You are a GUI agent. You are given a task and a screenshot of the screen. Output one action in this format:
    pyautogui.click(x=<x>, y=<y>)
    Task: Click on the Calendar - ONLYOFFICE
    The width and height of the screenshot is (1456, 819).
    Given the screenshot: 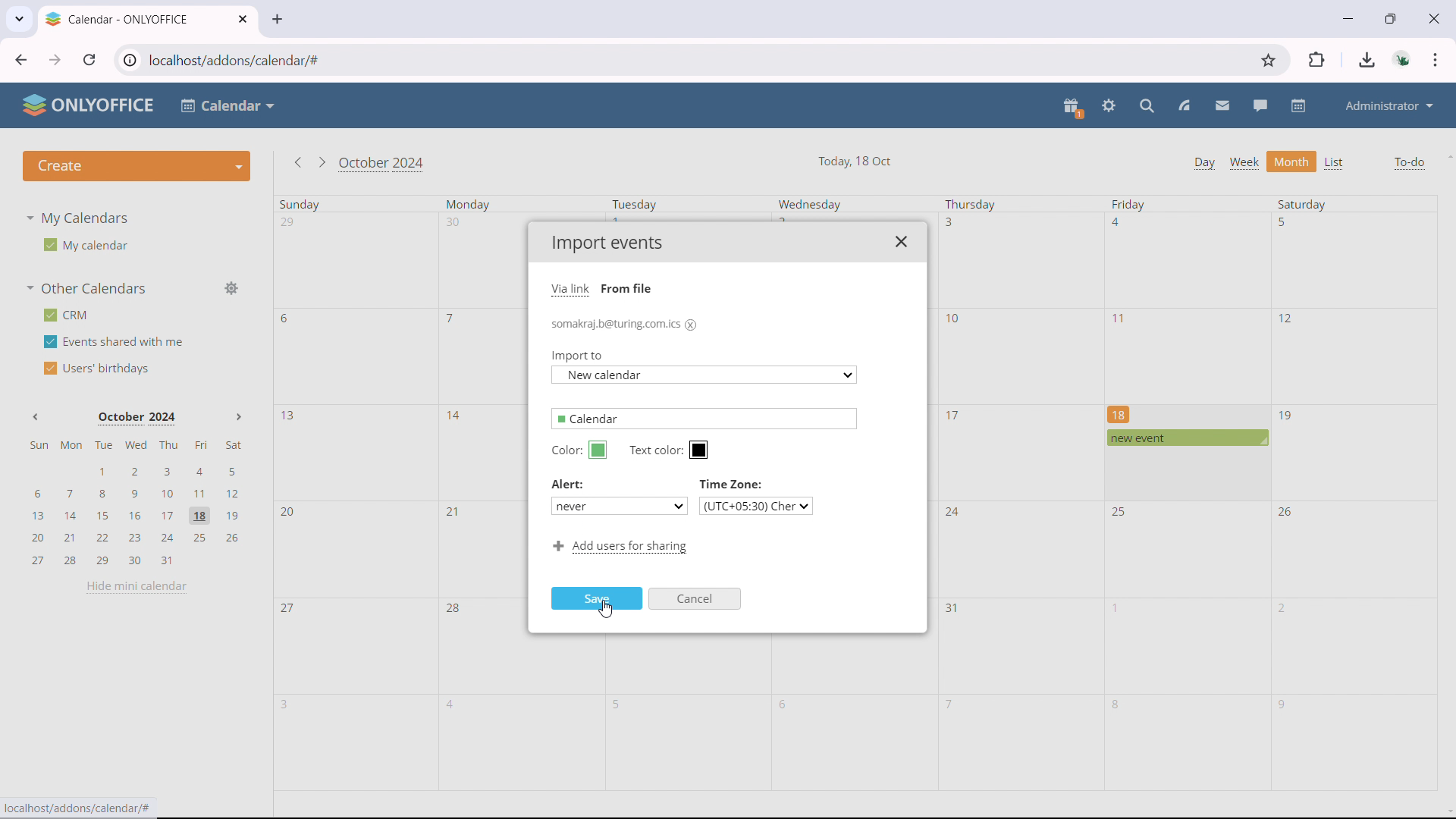 What is the action you would take?
    pyautogui.click(x=118, y=19)
    